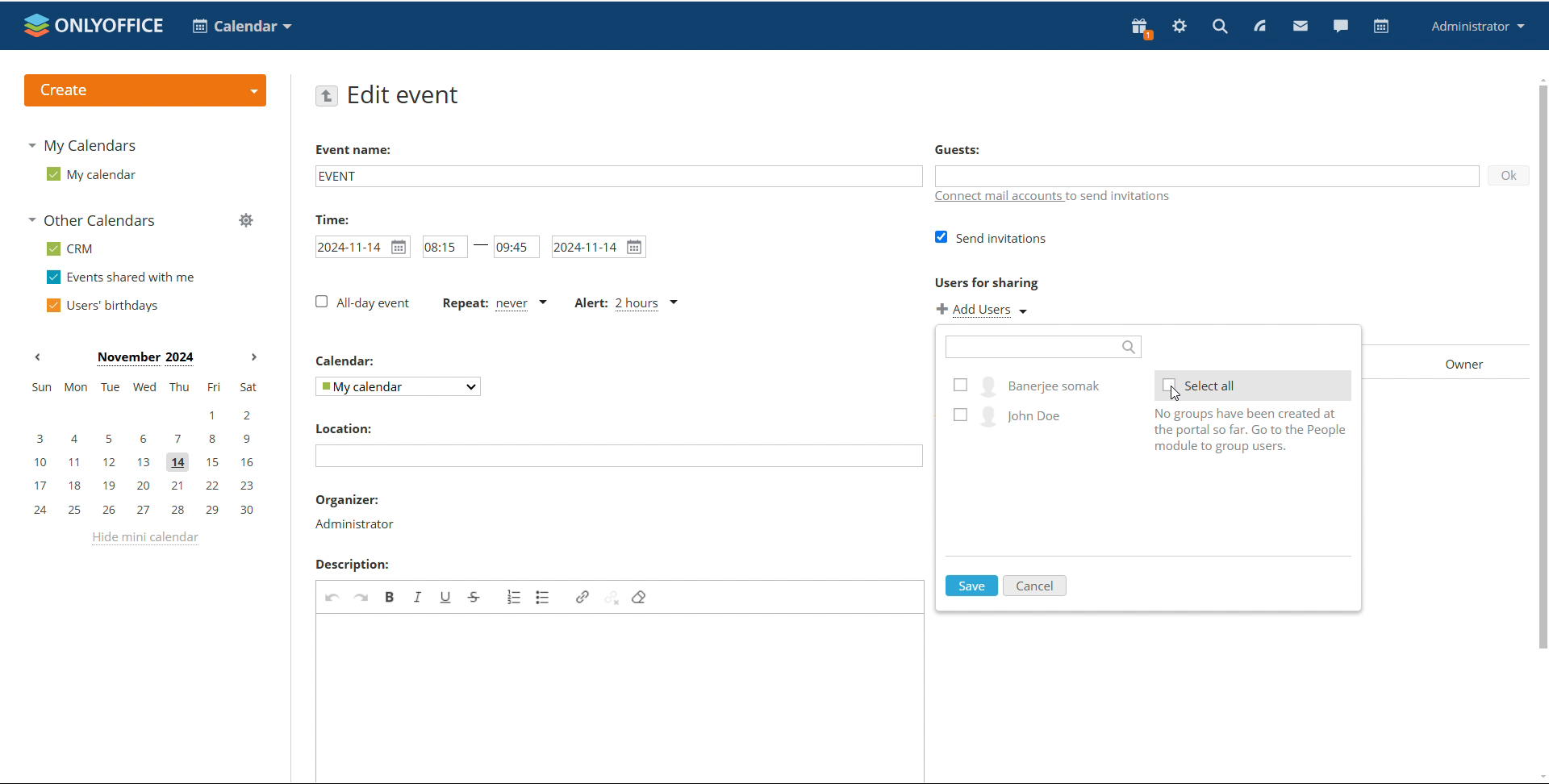  What do you see at coordinates (246, 220) in the screenshot?
I see `manage` at bounding box center [246, 220].